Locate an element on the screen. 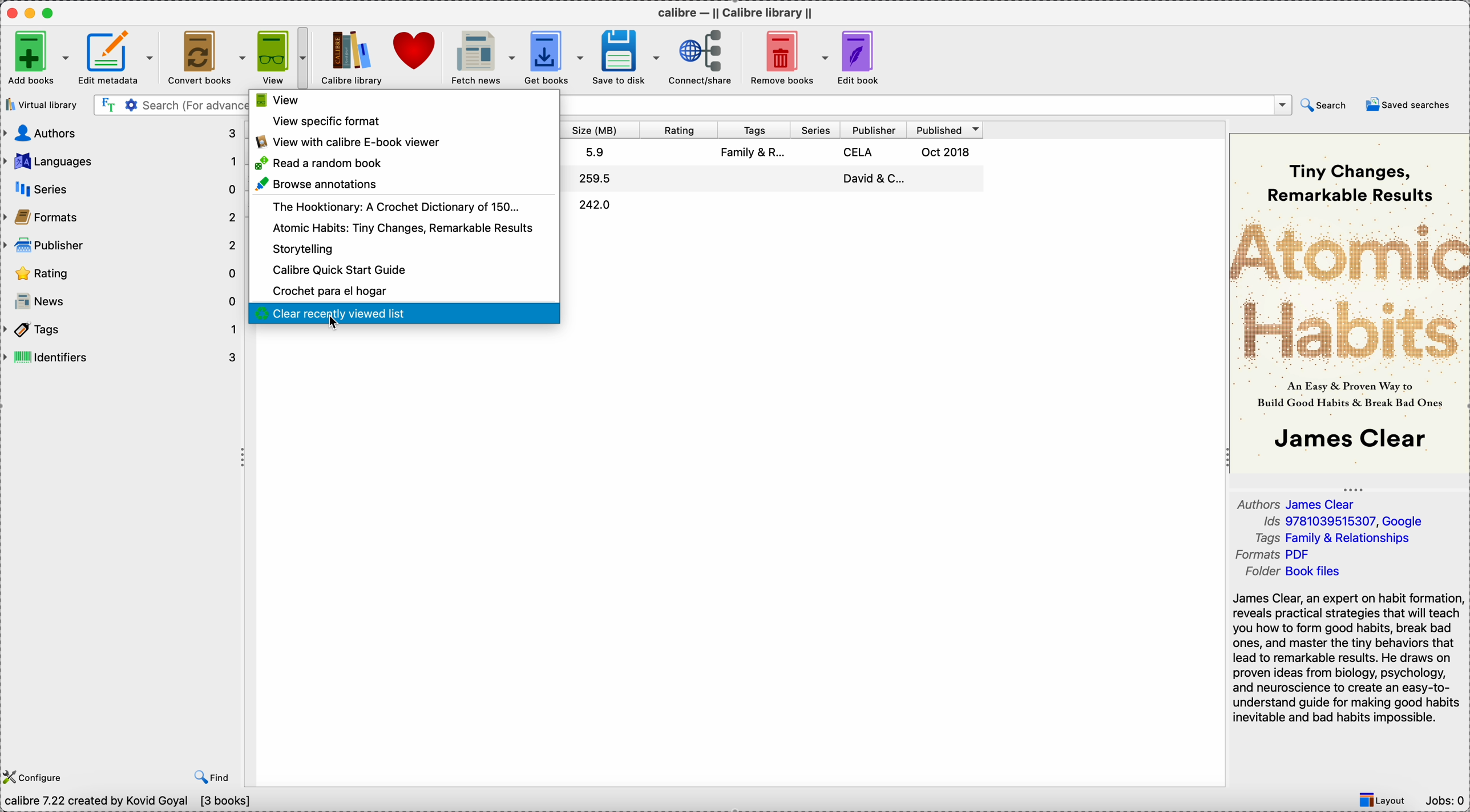 This screenshot has height=812, width=1470. configure is located at coordinates (35, 775).